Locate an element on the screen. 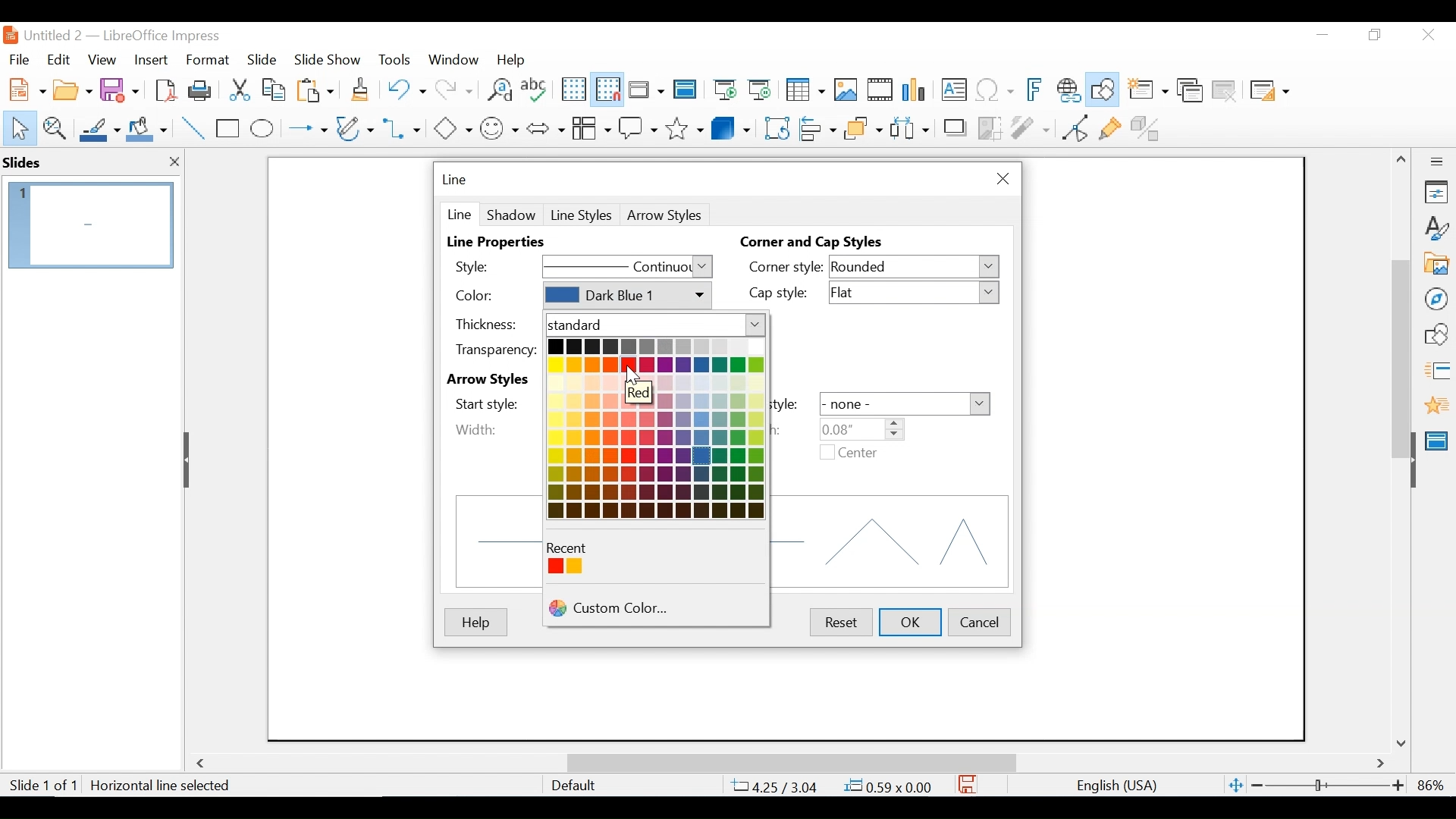  Master Slides is located at coordinates (686, 91).